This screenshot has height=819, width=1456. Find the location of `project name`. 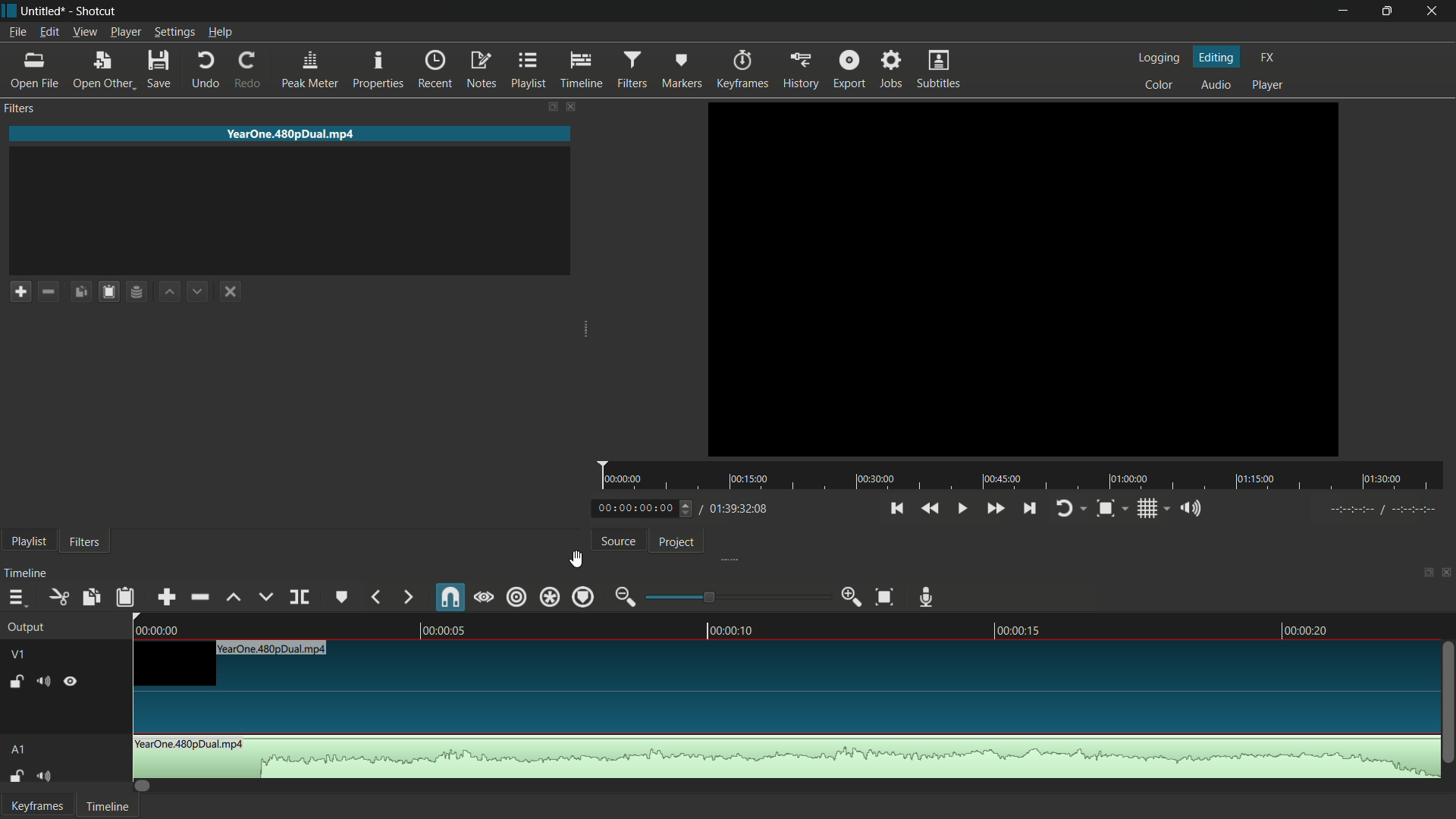

project name is located at coordinates (44, 11).